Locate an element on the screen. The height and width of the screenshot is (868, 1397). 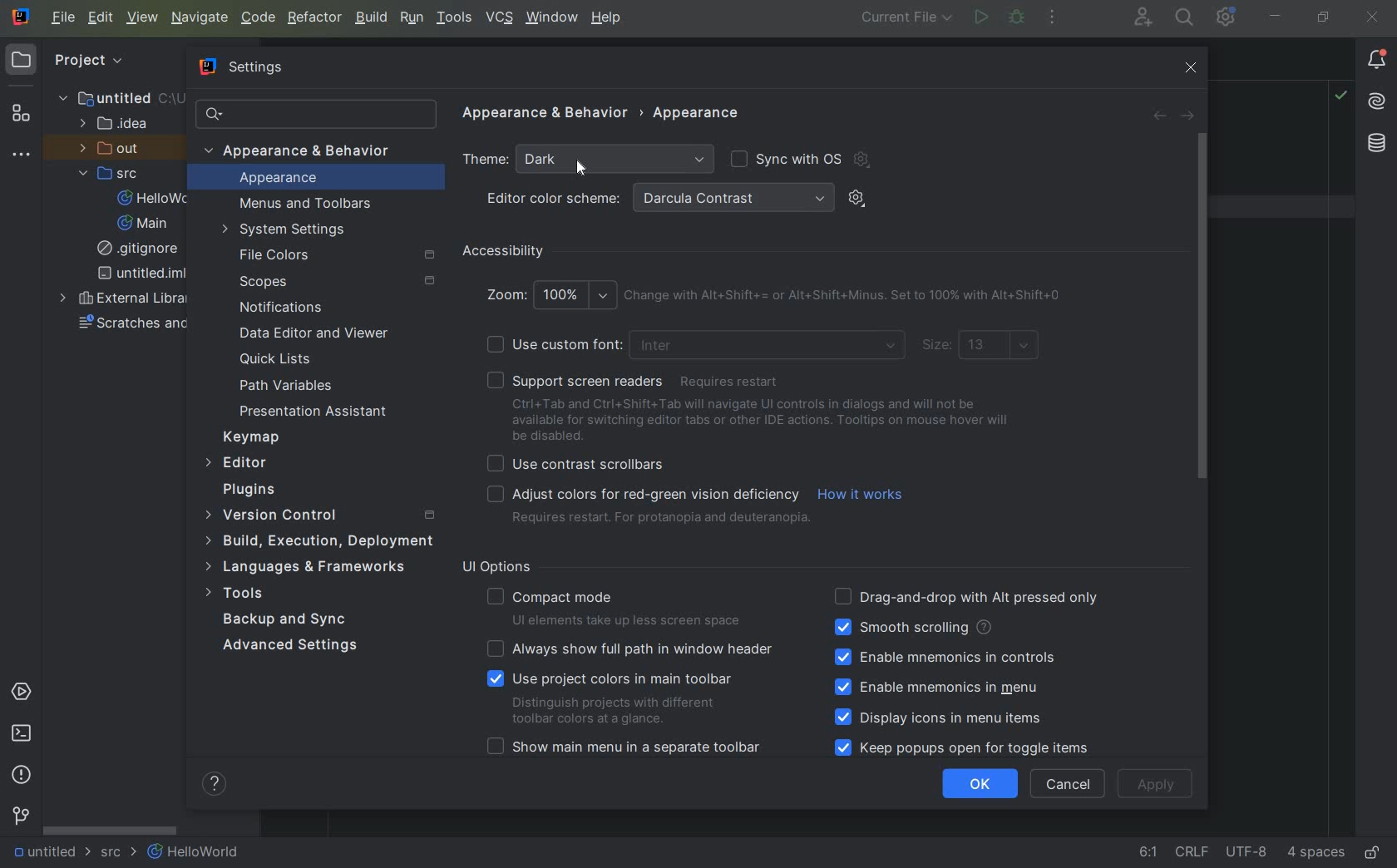
NAVIGATE is located at coordinates (200, 17).